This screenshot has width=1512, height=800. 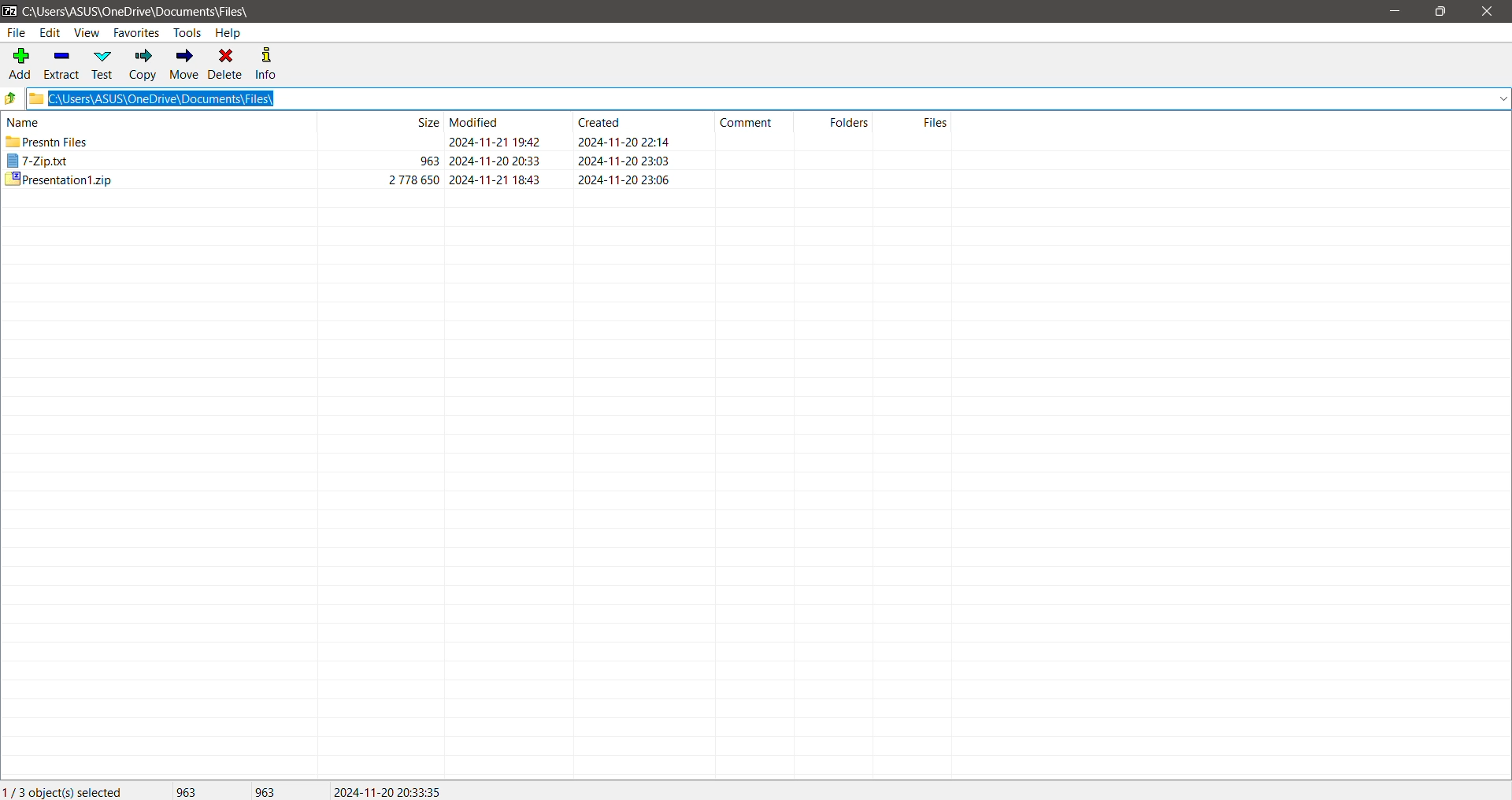 What do you see at coordinates (625, 180) in the screenshot?
I see `created date & time` at bounding box center [625, 180].